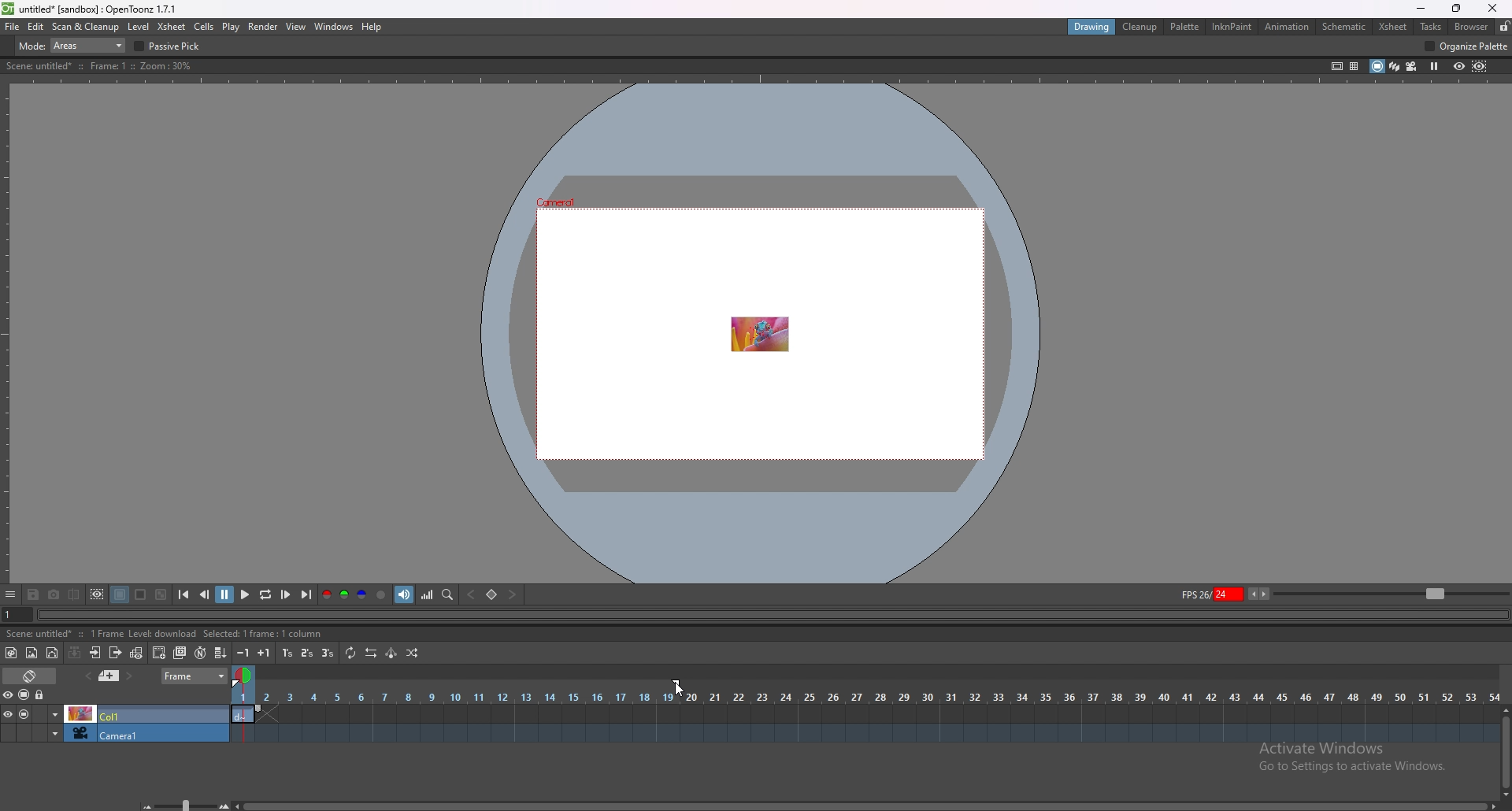 The height and width of the screenshot is (811, 1512). Describe the element at coordinates (243, 675) in the screenshot. I see `time selection` at that location.